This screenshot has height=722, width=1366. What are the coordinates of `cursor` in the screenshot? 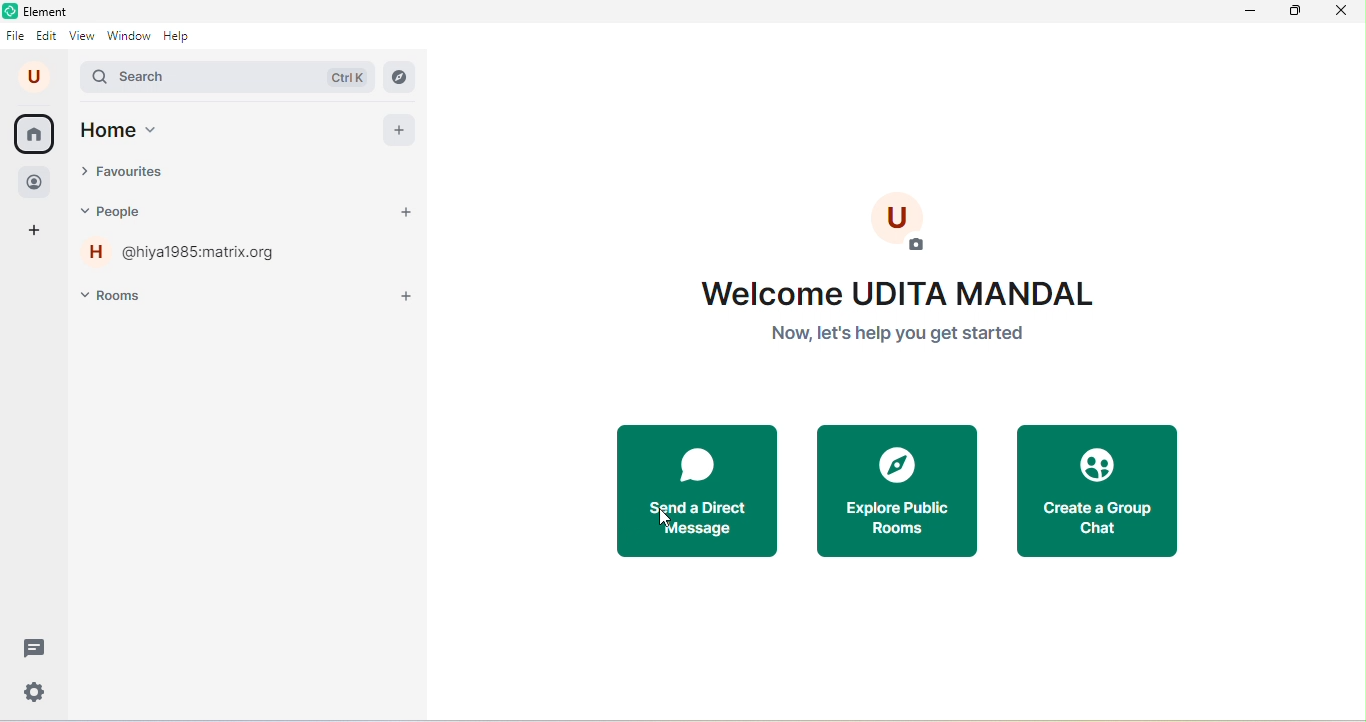 It's located at (674, 523).